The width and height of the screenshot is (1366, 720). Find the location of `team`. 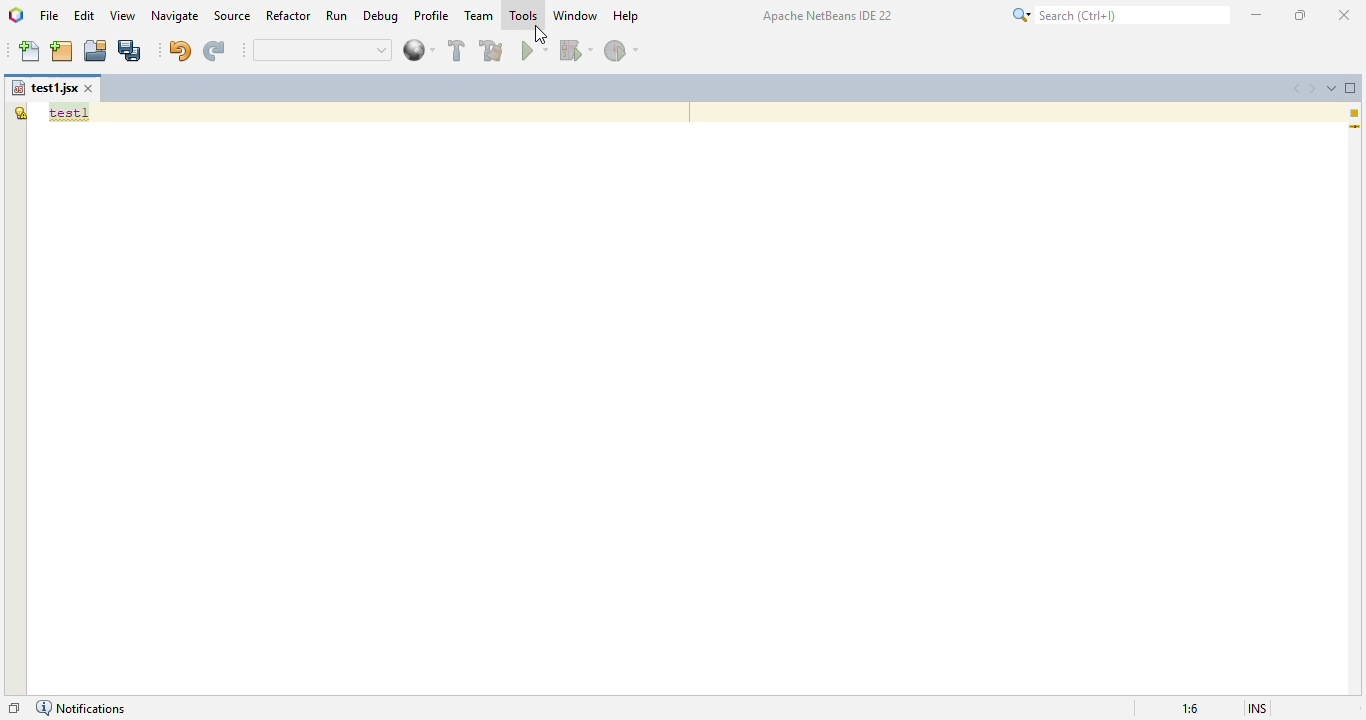

team is located at coordinates (480, 15).